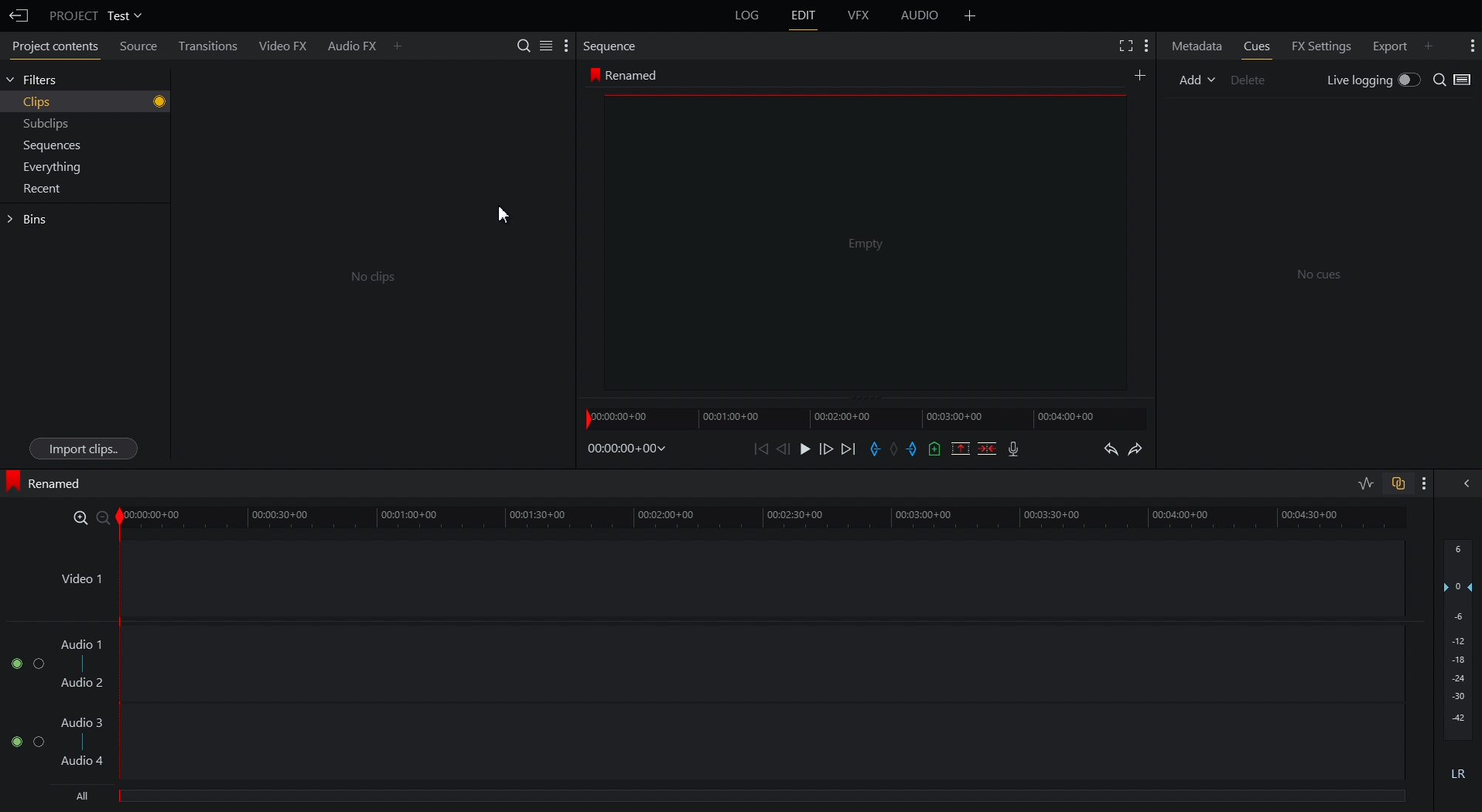 The height and width of the screenshot is (812, 1482). What do you see at coordinates (919, 16) in the screenshot?
I see `Audio` at bounding box center [919, 16].